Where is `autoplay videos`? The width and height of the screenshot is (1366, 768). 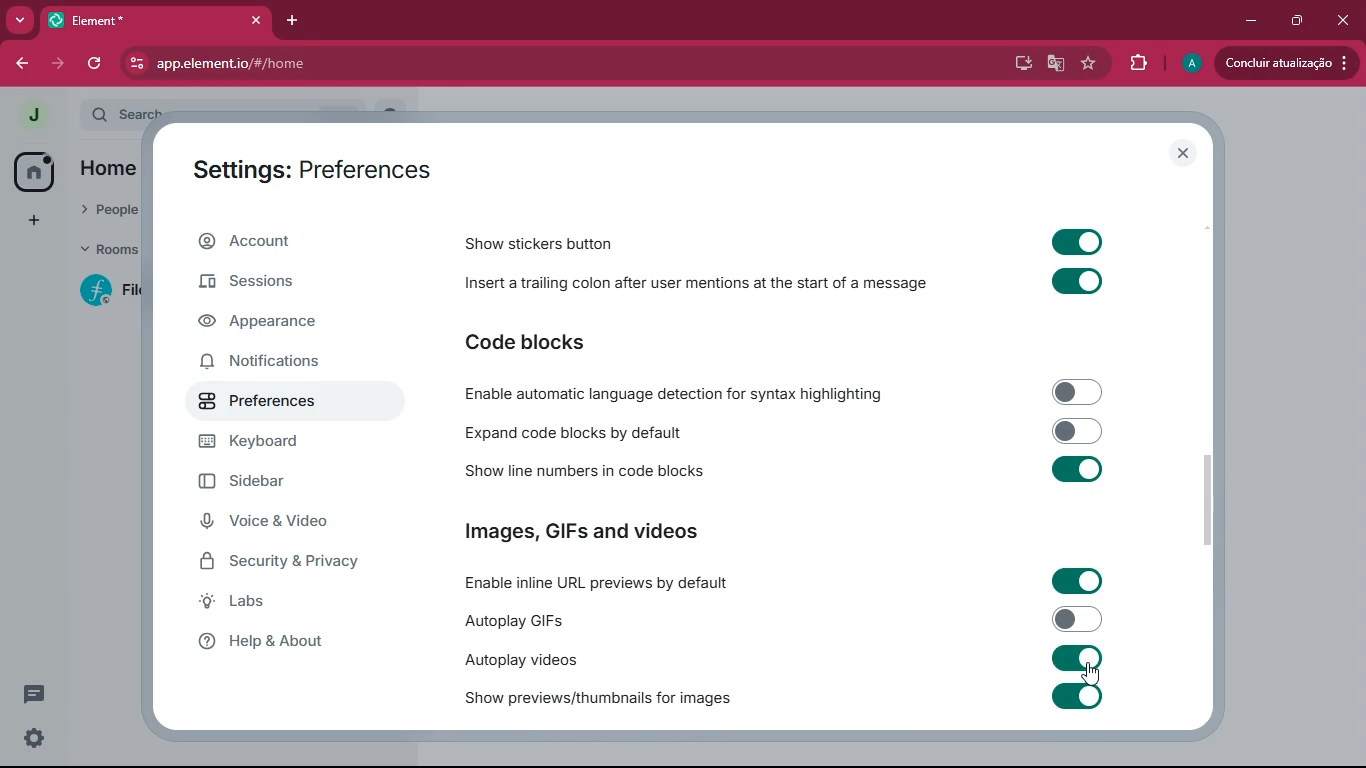 autoplay videos is located at coordinates (518, 659).